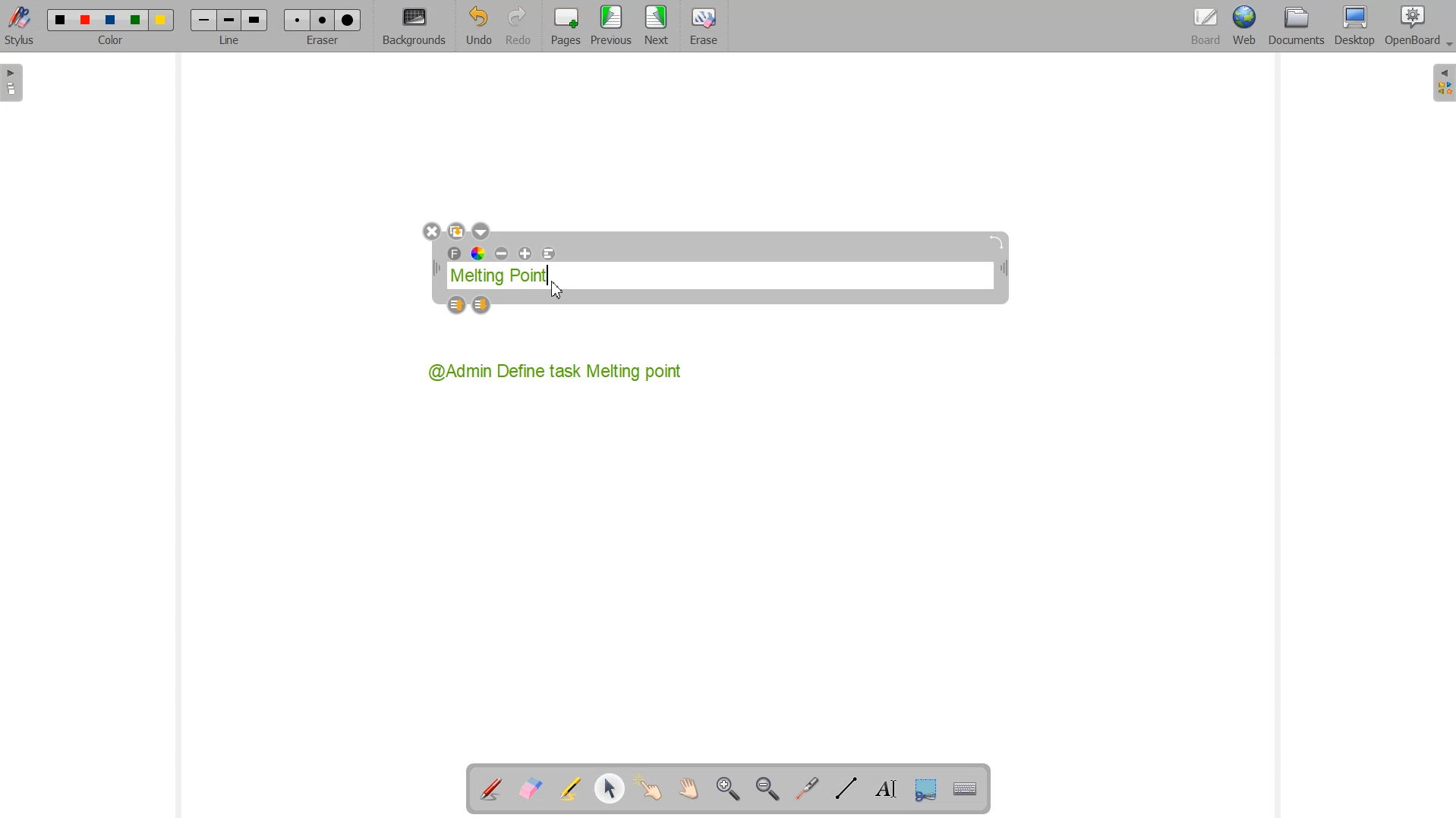  What do you see at coordinates (506, 272) in the screenshot?
I see `Melting Point` at bounding box center [506, 272].